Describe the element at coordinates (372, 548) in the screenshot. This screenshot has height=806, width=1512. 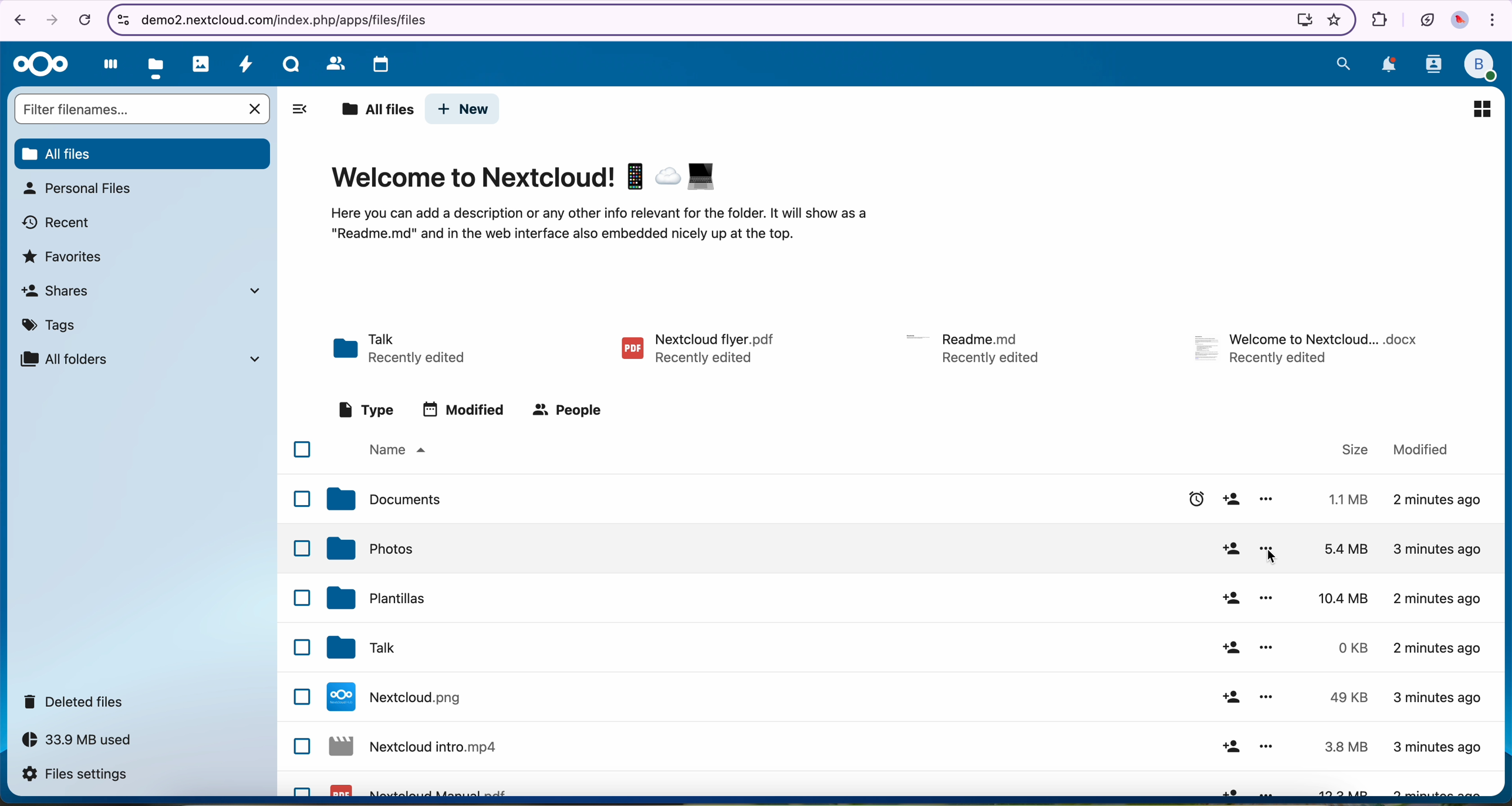
I see `photos` at that location.